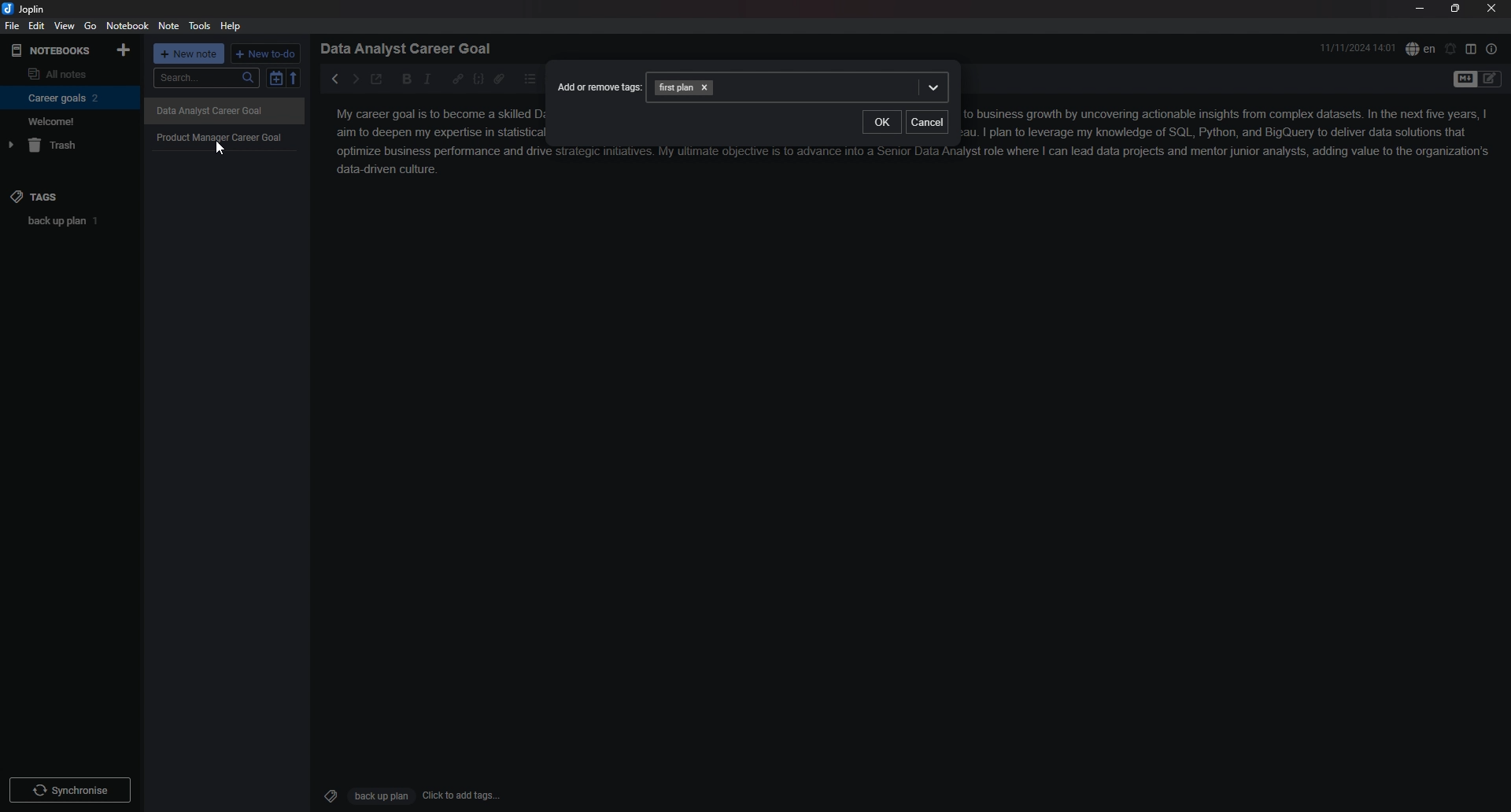  I want to click on , so click(229, 113).